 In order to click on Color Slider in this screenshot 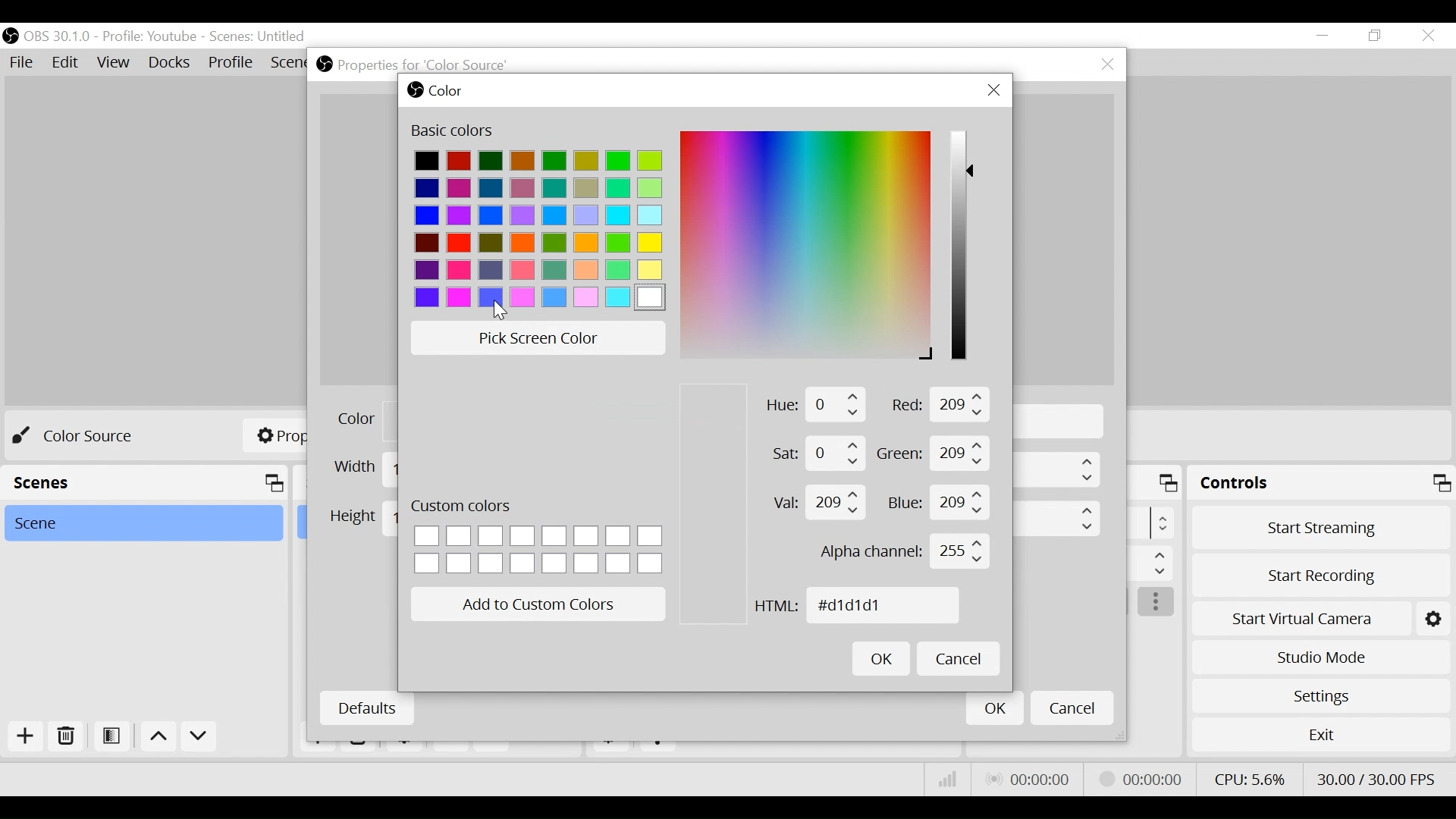, I will do `click(957, 246)`.